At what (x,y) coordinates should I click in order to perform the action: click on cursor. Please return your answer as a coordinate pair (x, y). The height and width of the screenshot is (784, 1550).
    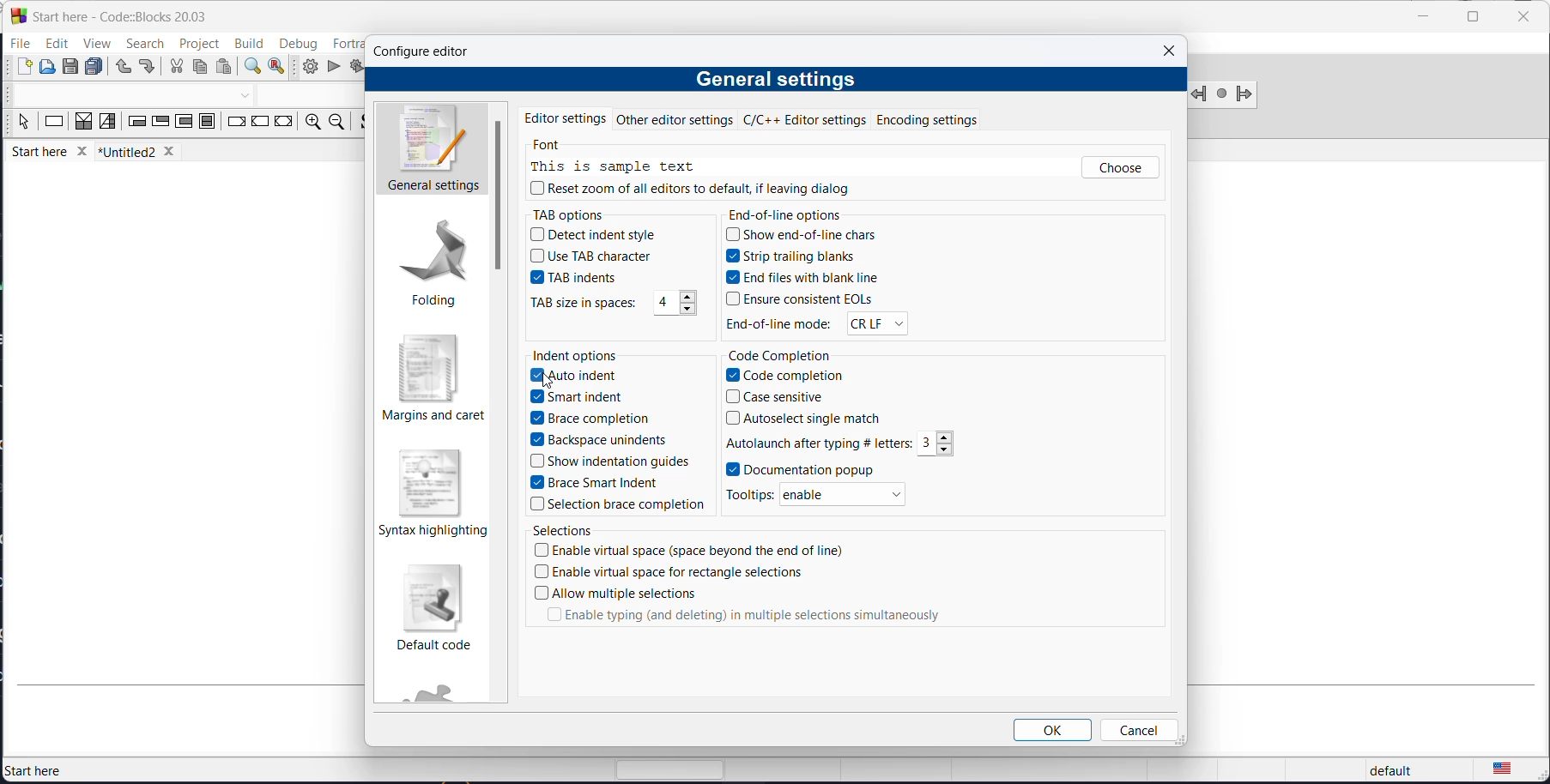
    Looking at the image, I should click on (545, 380).